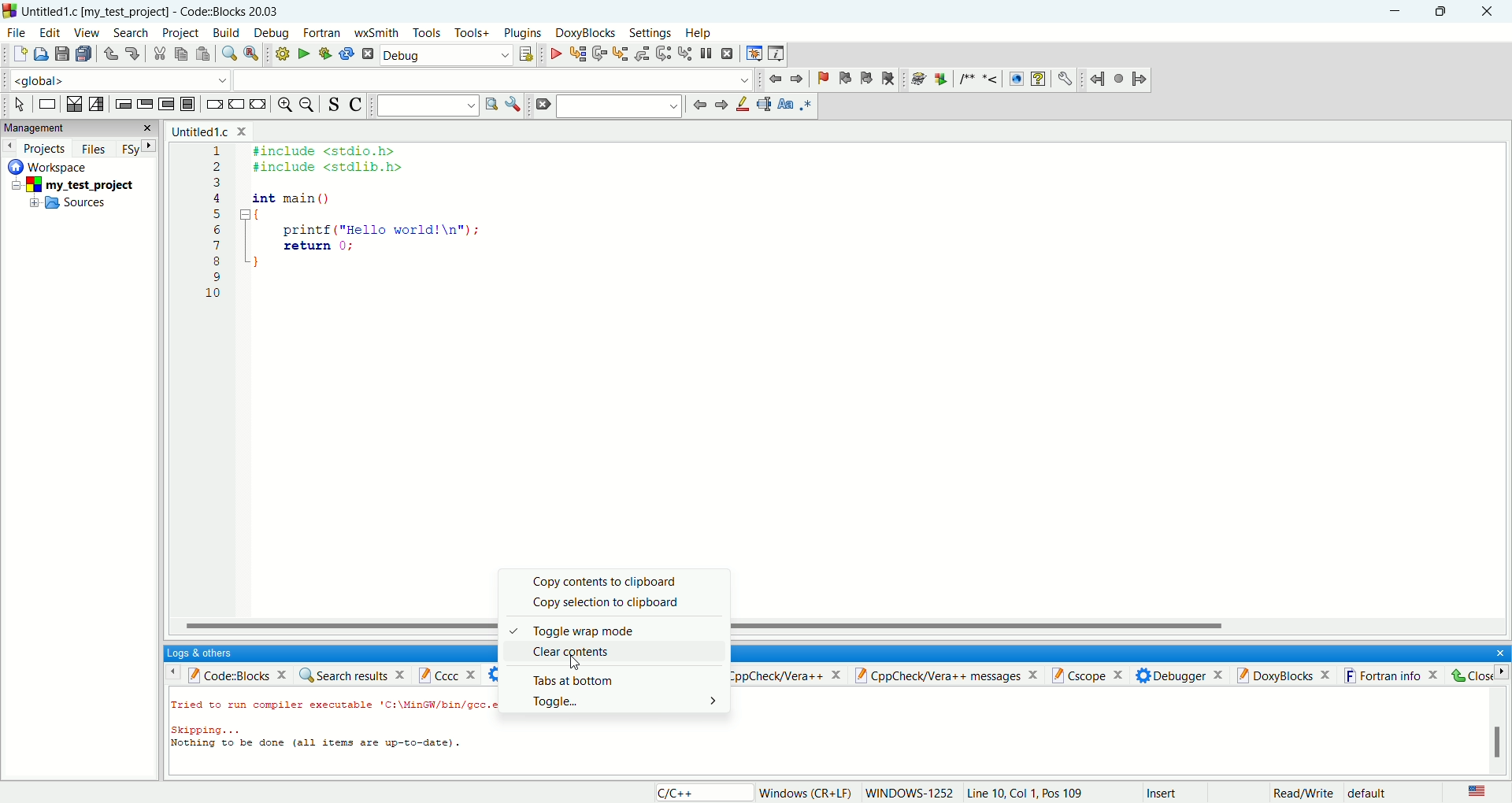  What do you see at coordinates (1398, 12) in the screenshot?
I see `minimize` at bounding box center [1398, 12].